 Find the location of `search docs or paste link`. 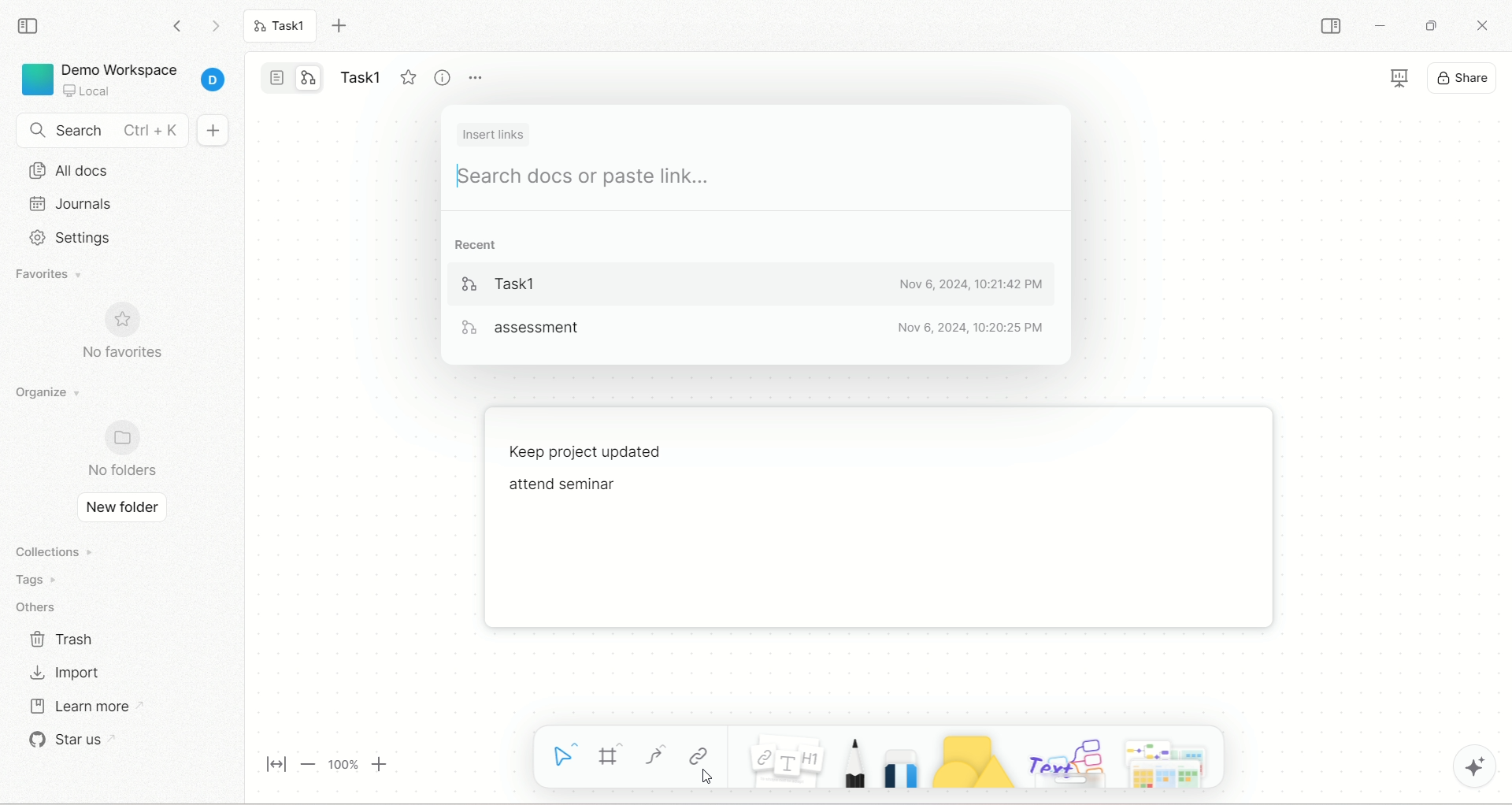

search docs or paste link is located at coordinates (584, 175).